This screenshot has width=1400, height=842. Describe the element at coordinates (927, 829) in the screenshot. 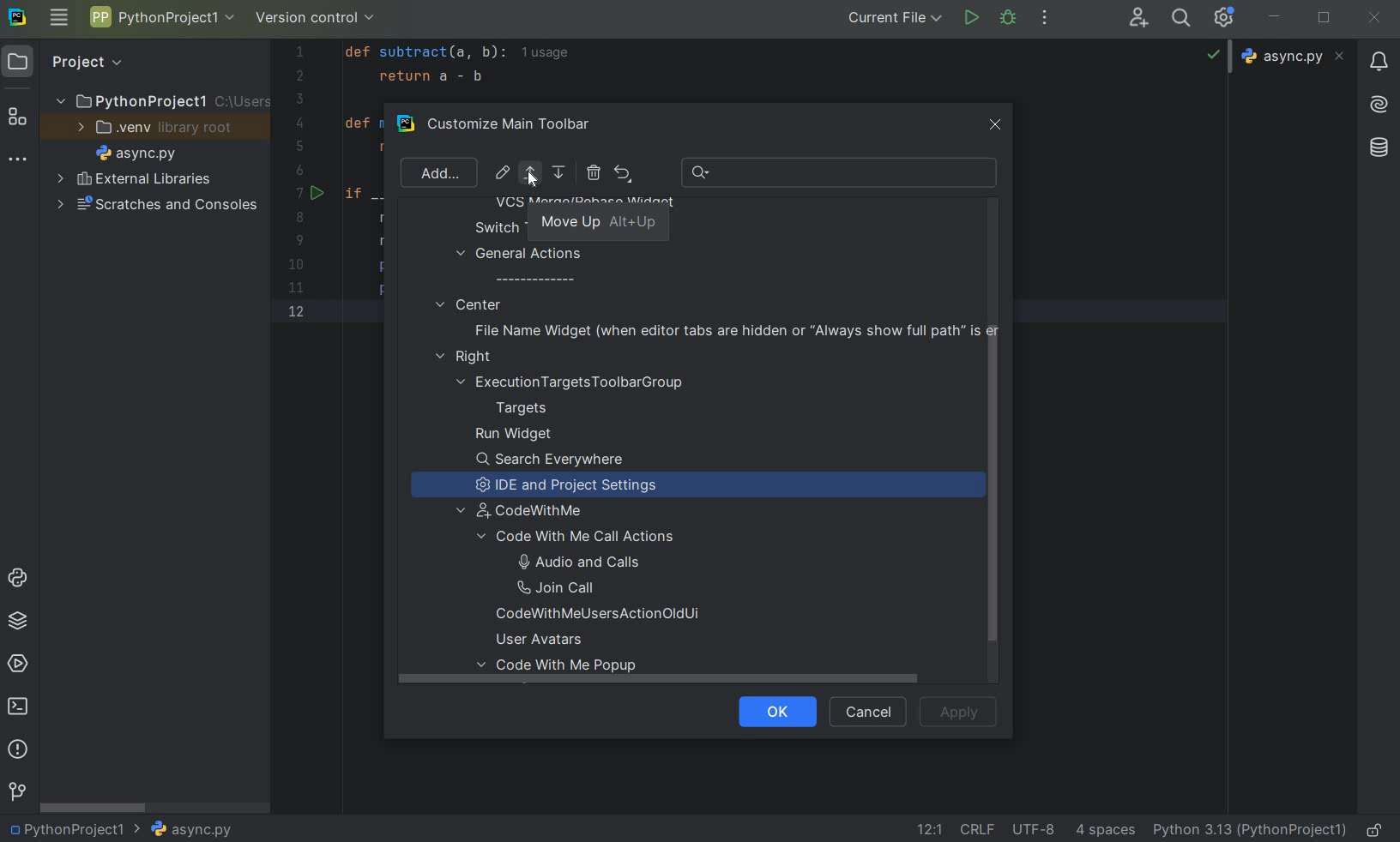

I see `GO TO LINE` at that location.